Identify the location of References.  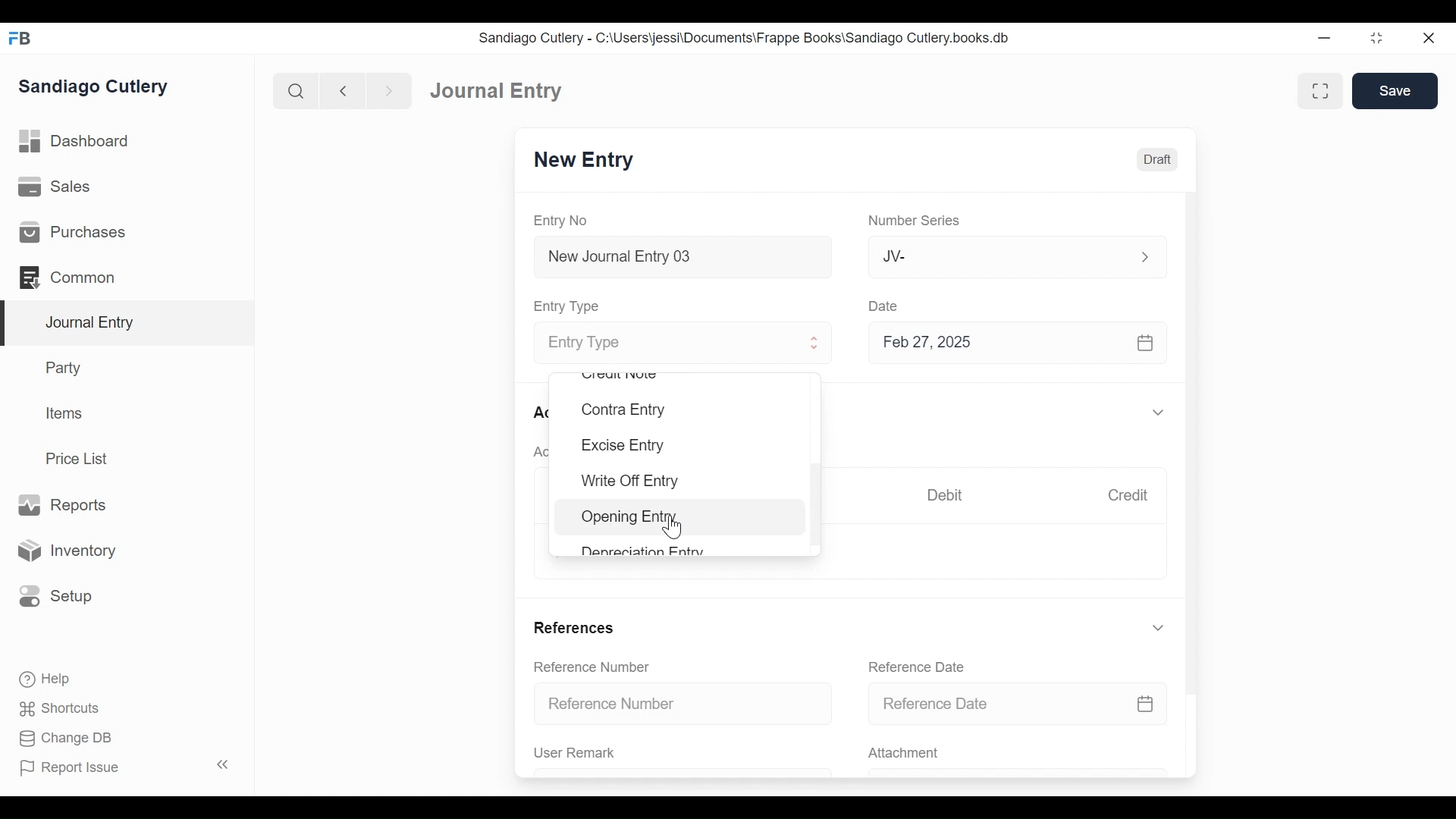
(576, 629).